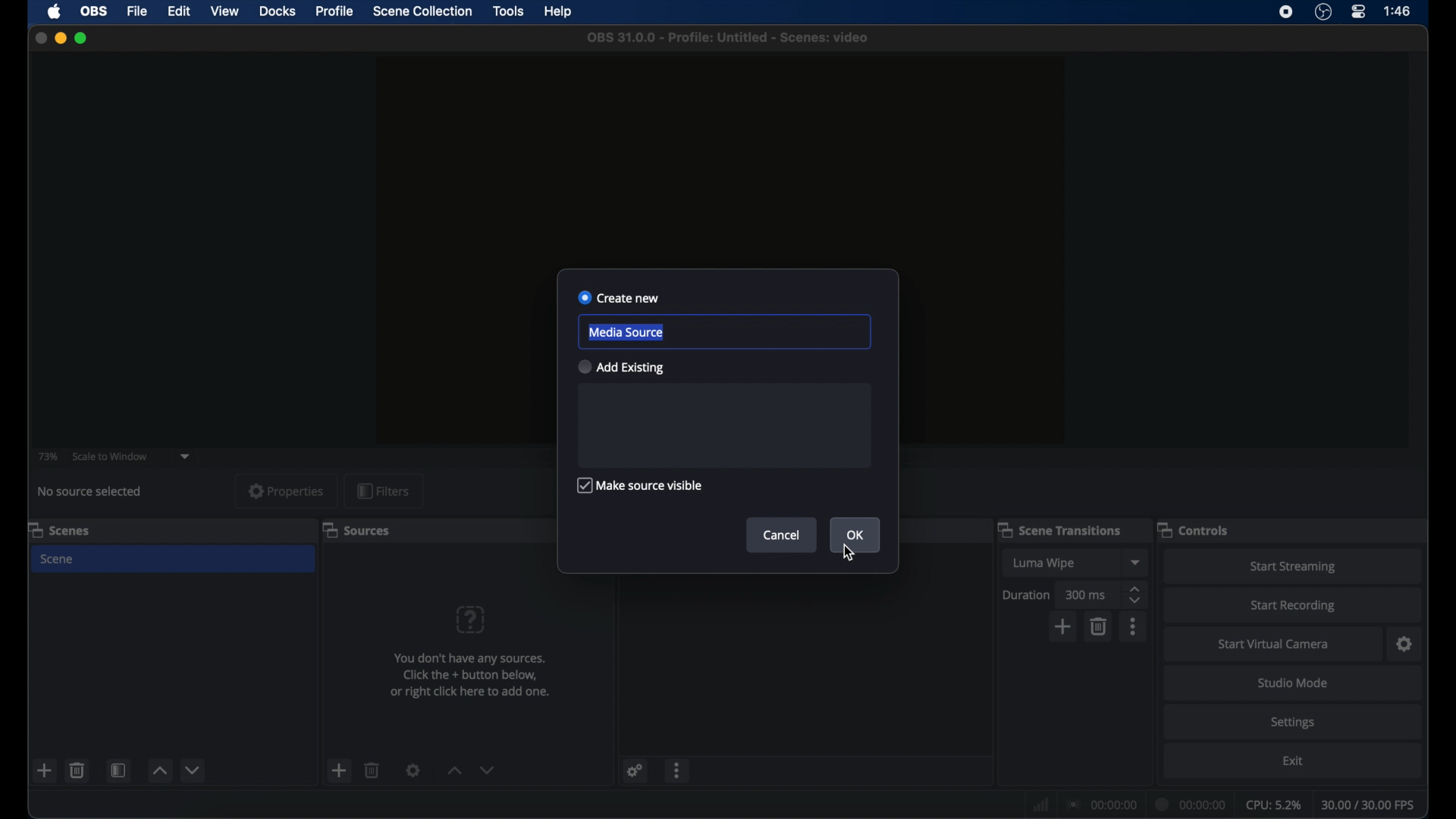  I want to click on no source selected, so click(89, 491).